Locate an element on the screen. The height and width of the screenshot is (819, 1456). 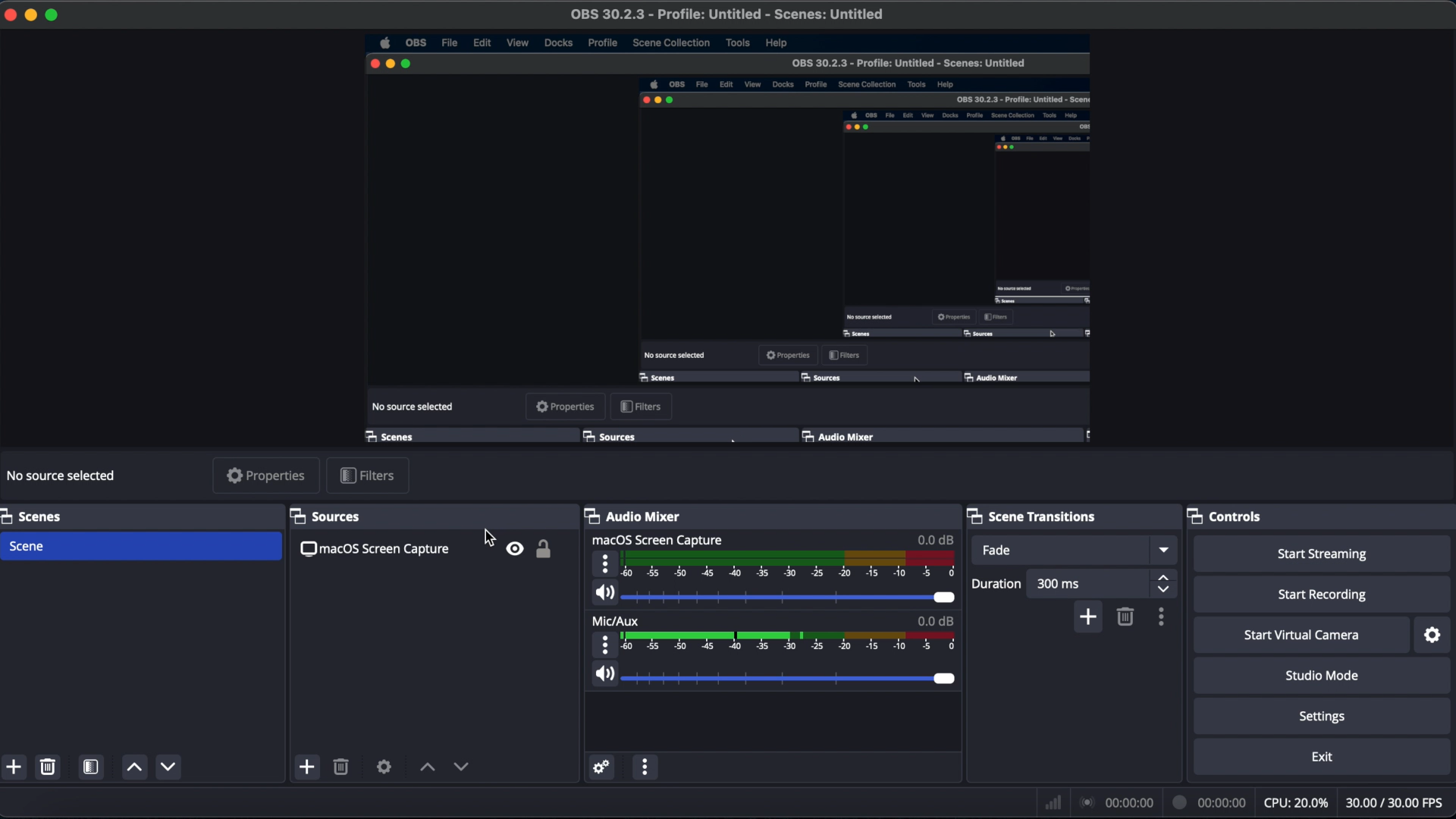
add scene is located at coordinates (14, 767).